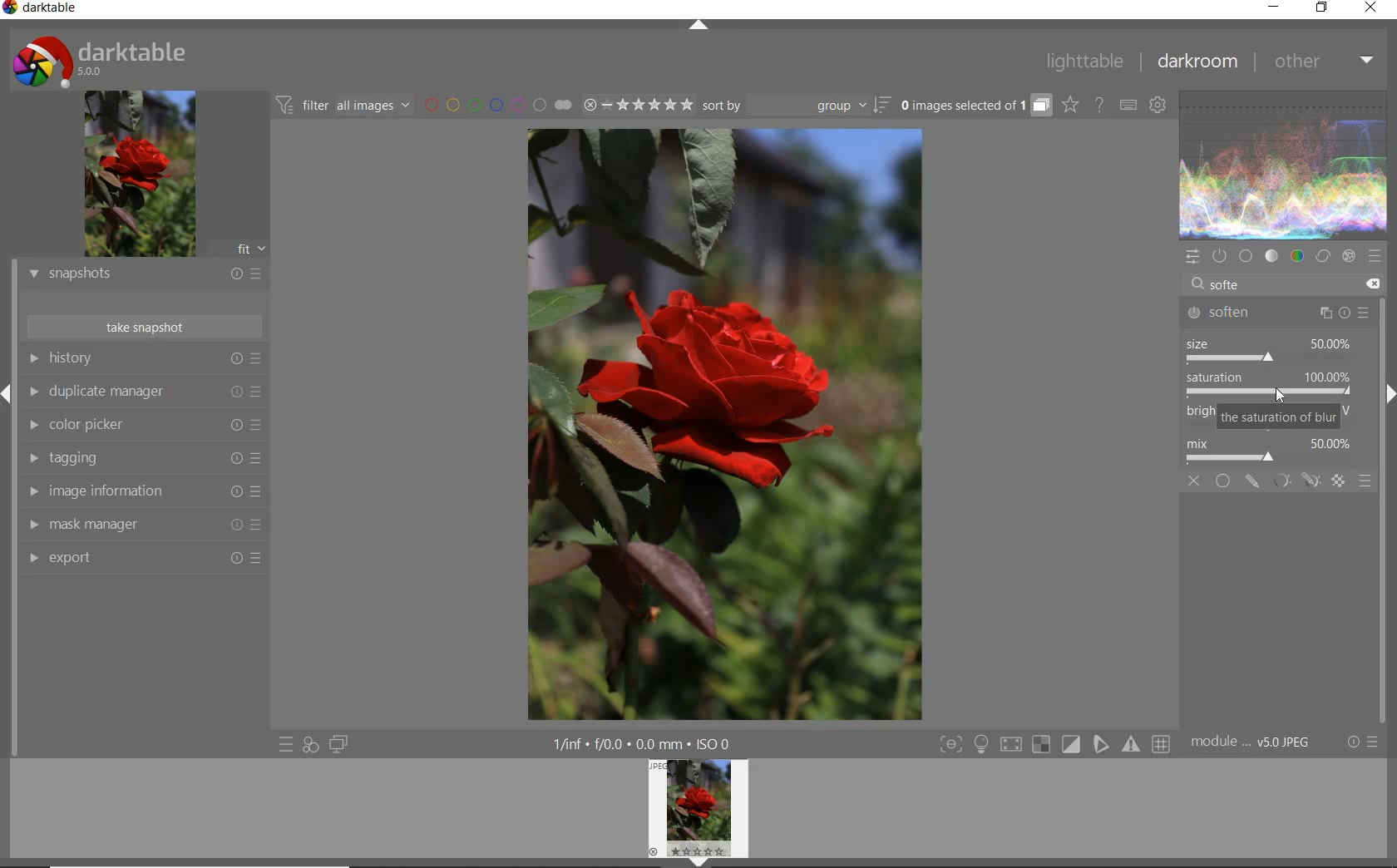 The height and width of the screenshot is (868, 1397). What do you see at coordinates (1087, 62) in the screenshot?
I see `lighttable` at bounding box center [1087, 62].